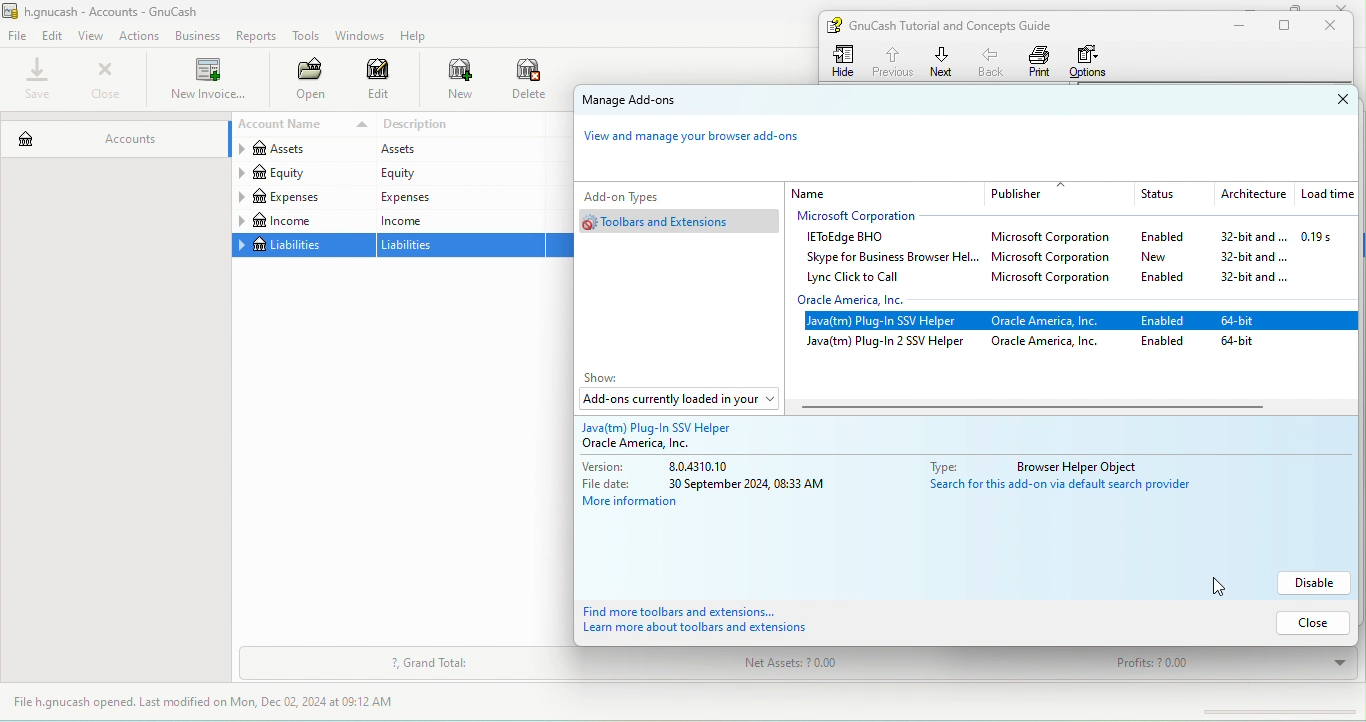 This screenshot has height=722, width=1366. What do you see at coordinates (94, 36) in the screenshot?
I see `view` at bounding box center [94, 36].